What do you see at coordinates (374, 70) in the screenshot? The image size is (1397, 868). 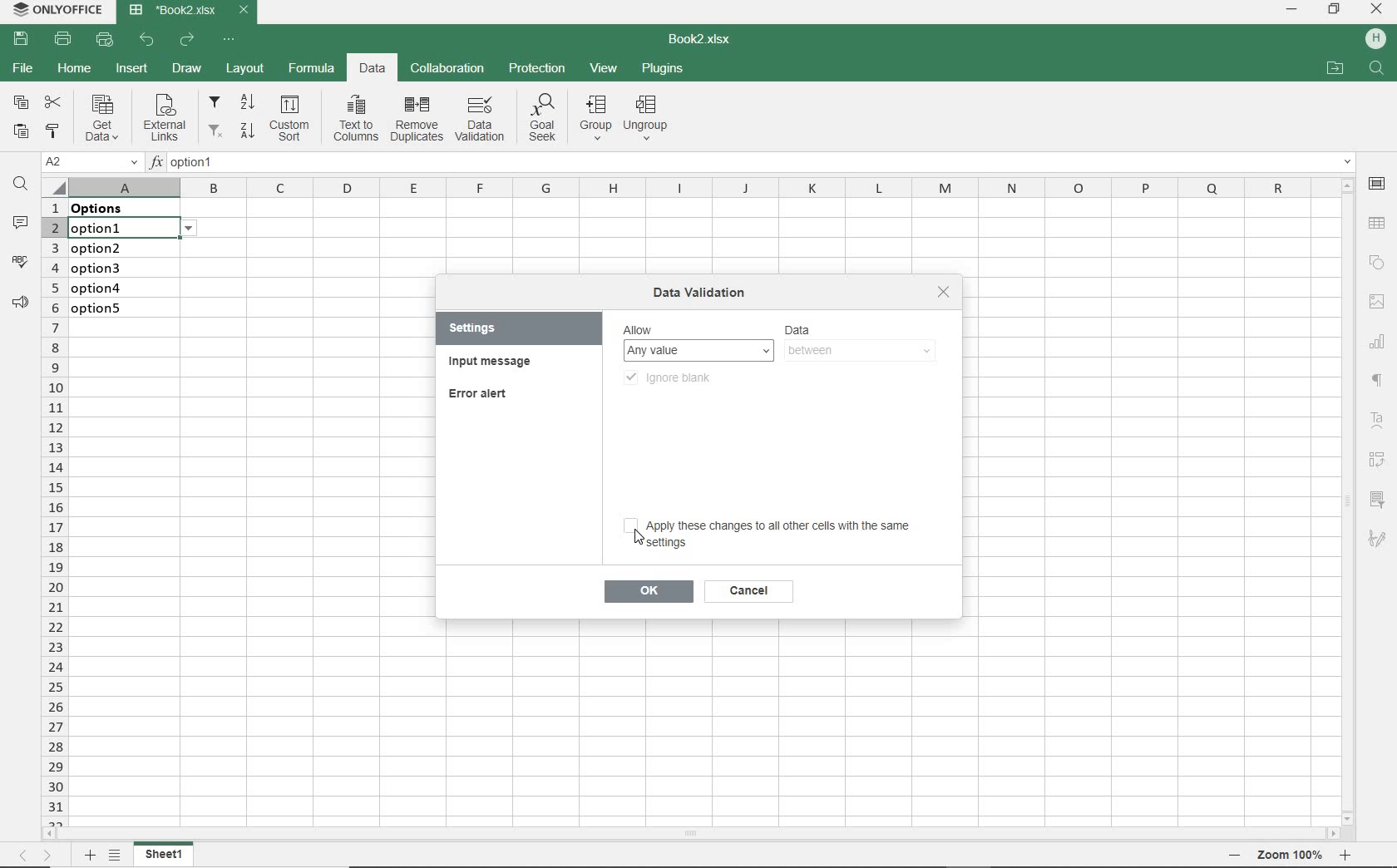 I see `DATA` at bounding box center [374, 70].